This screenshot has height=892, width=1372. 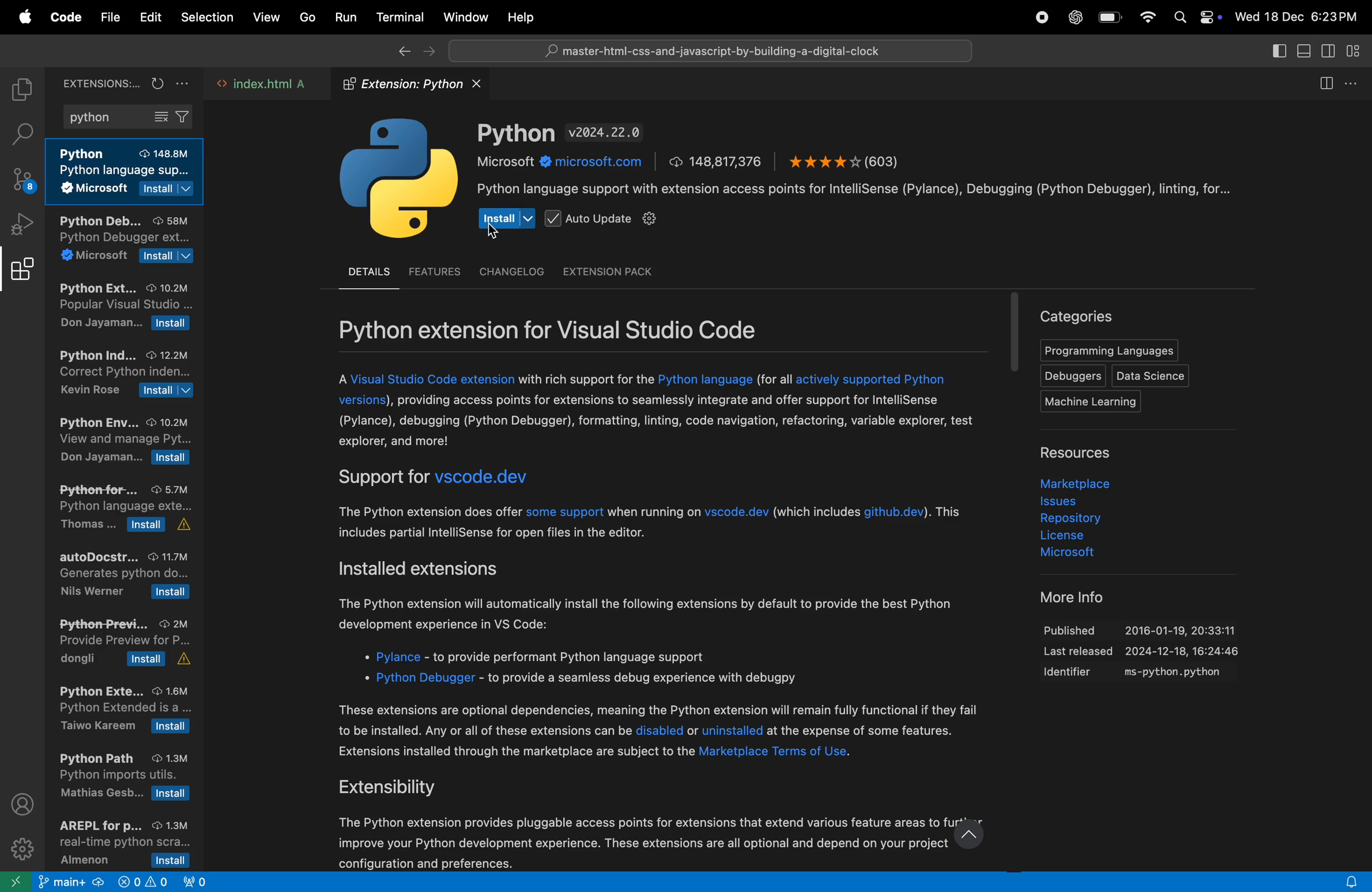 I want to click on python format, so click(x=128, y=511).